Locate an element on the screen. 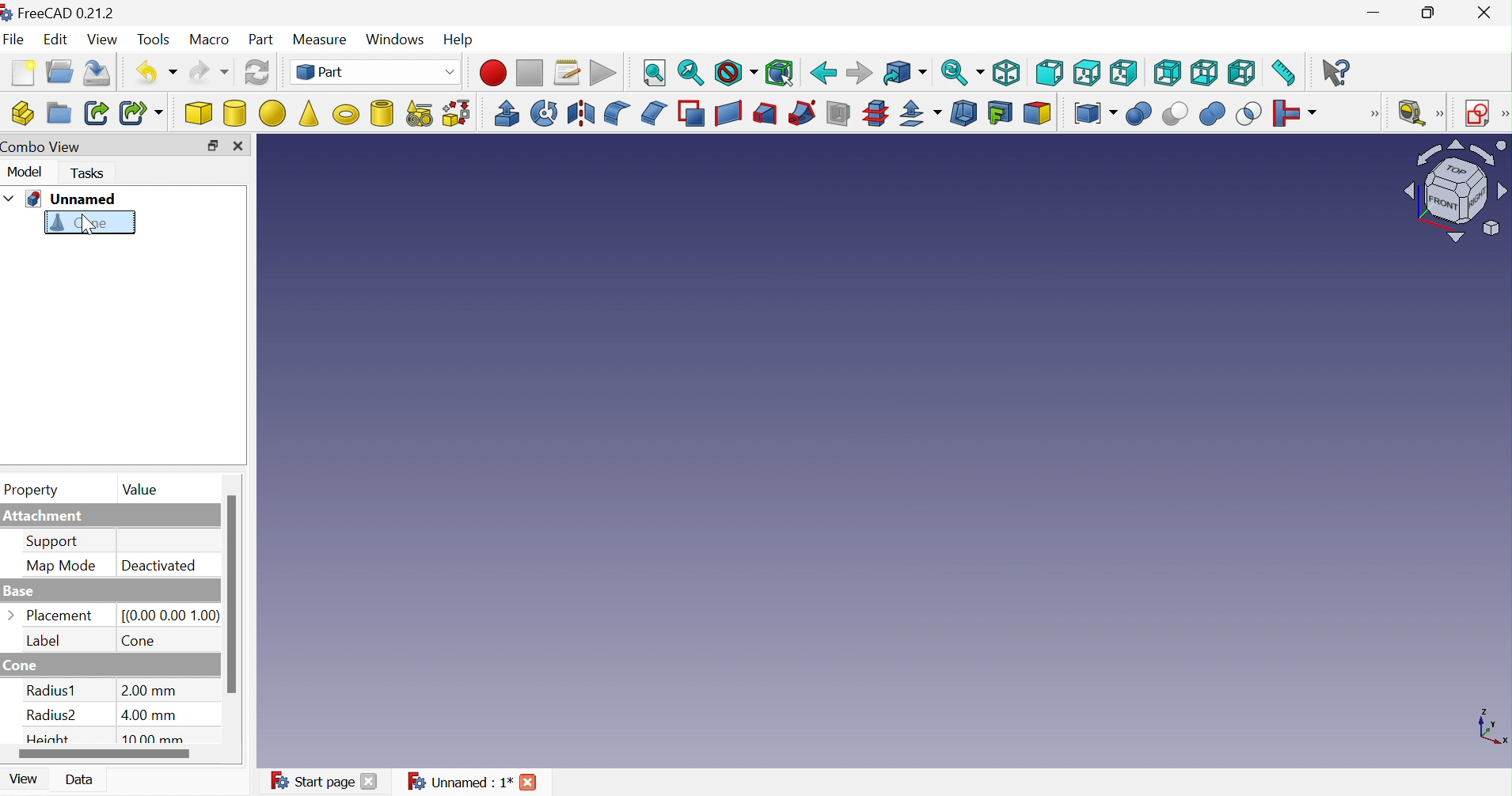 Image resolution: width=1512 pixels, height=796 pixels. Model is located at coordinates (25, 175).